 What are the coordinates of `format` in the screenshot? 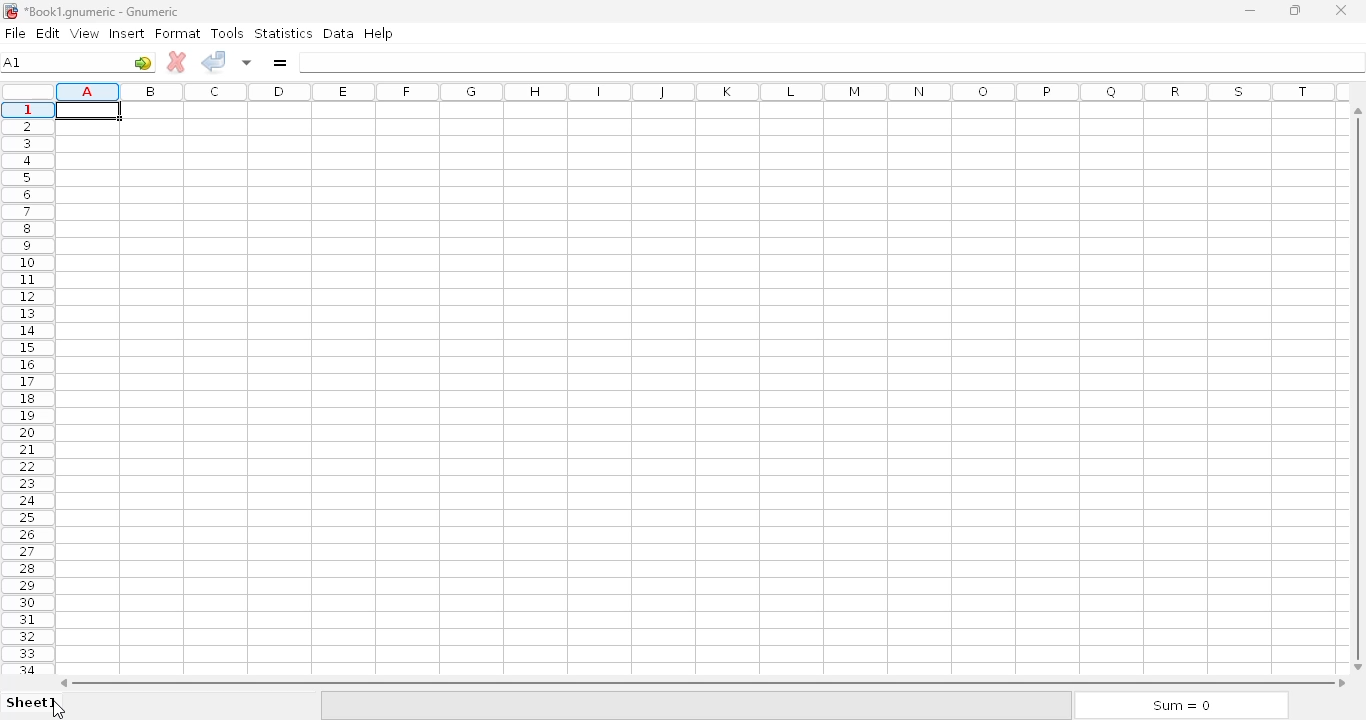 It's located at (178, 34).